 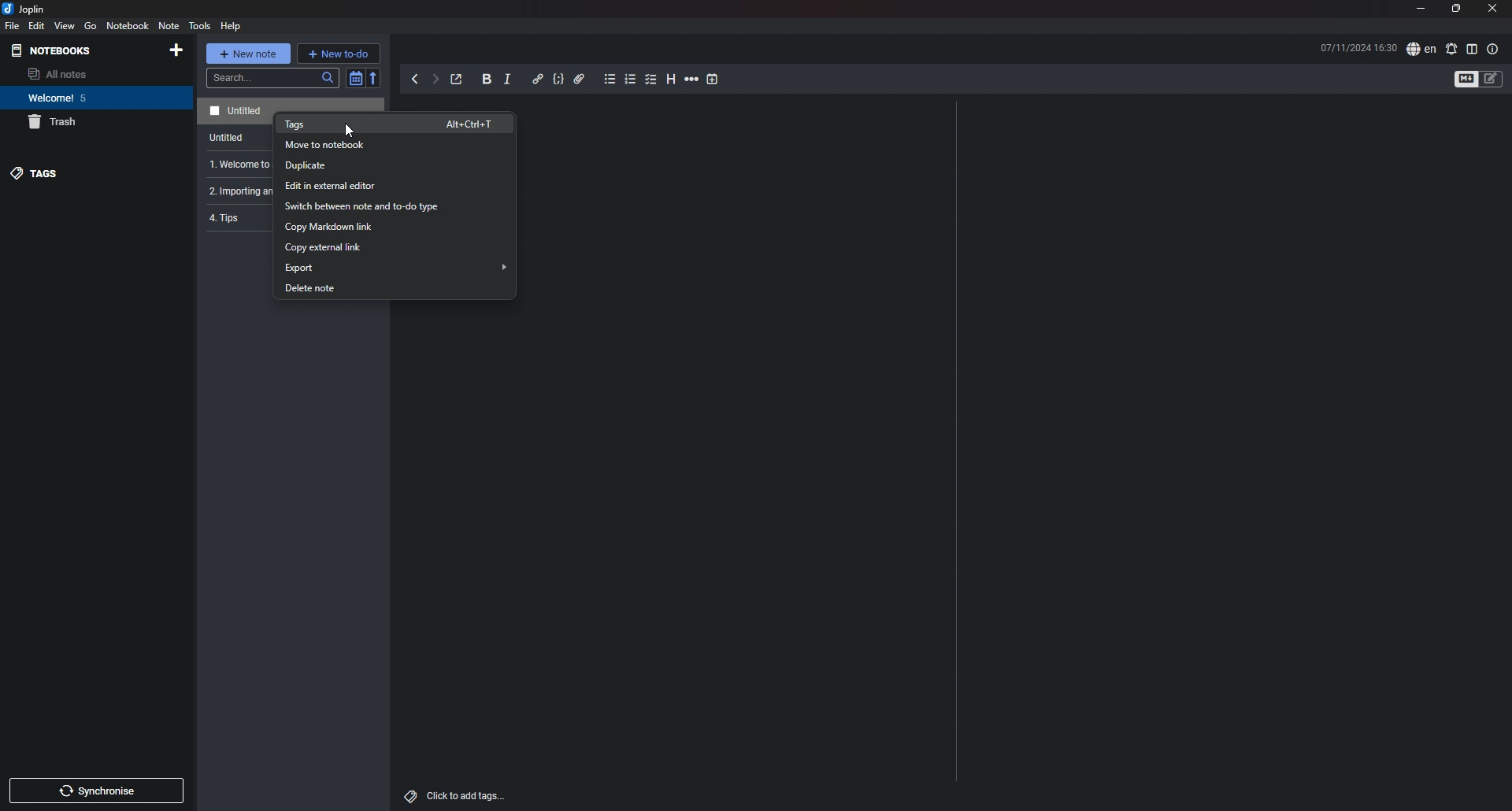 What do you see at coordinates (128, 26) in the screenshot?
I see `notebook` at bounding box center [128, 26].